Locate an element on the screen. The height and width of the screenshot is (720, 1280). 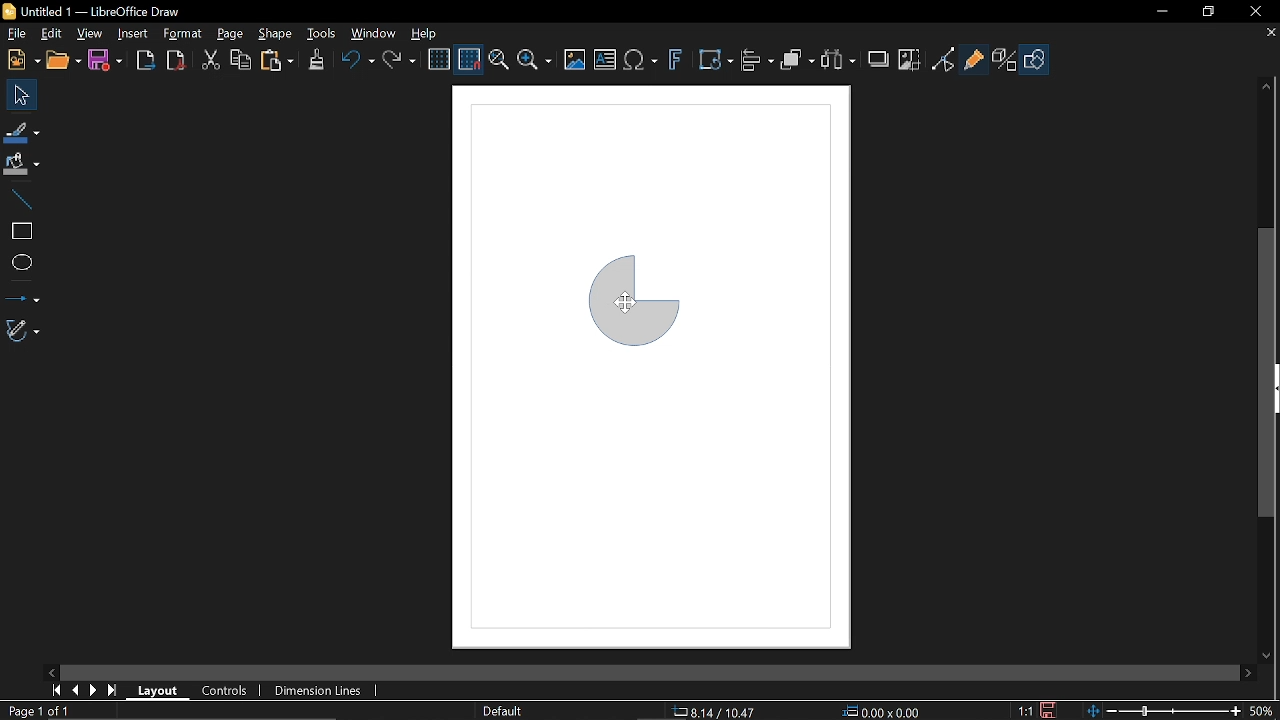
Display grid is located at coordinates (439, 60).